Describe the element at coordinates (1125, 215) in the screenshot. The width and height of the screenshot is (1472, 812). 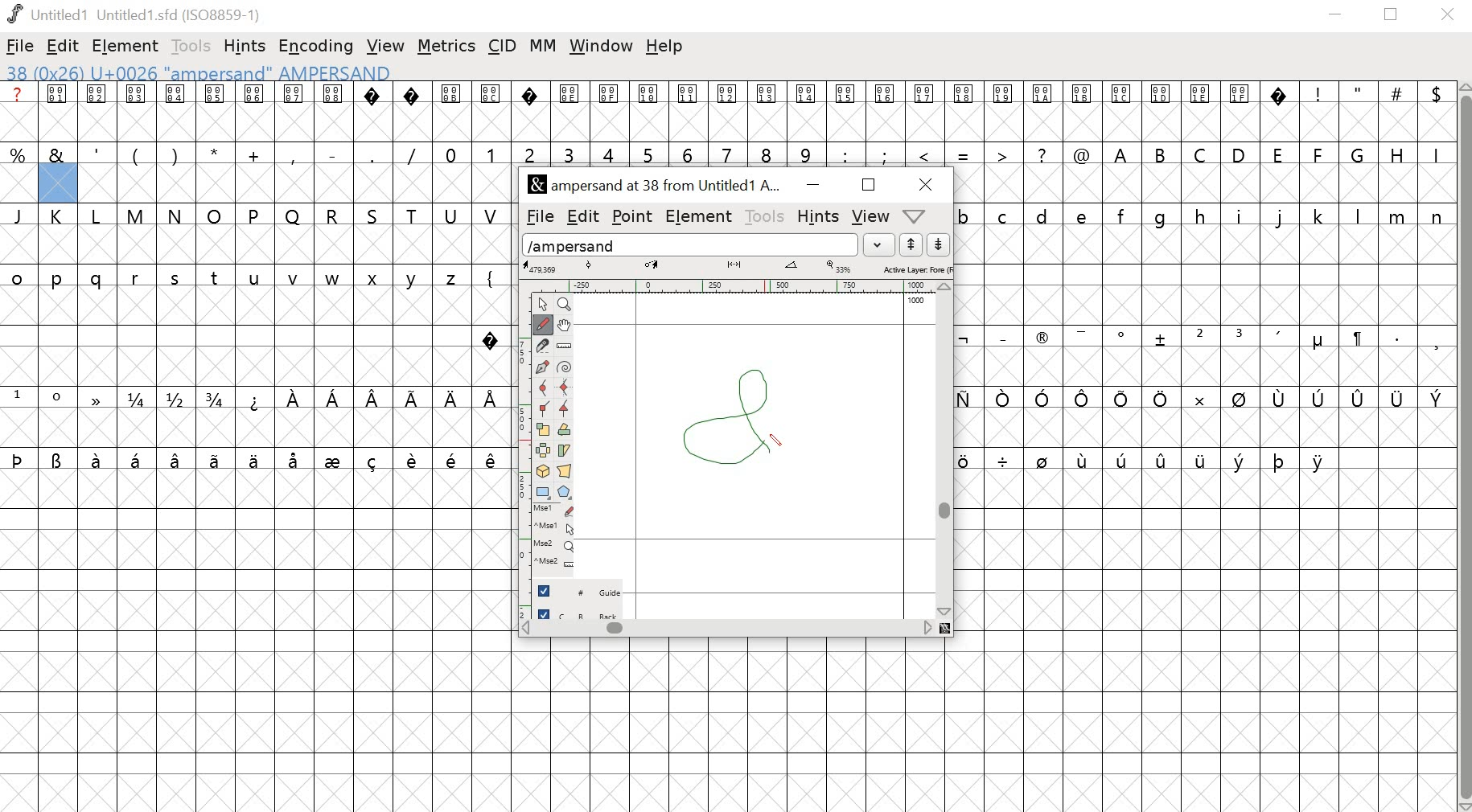
I see `f` at that location.